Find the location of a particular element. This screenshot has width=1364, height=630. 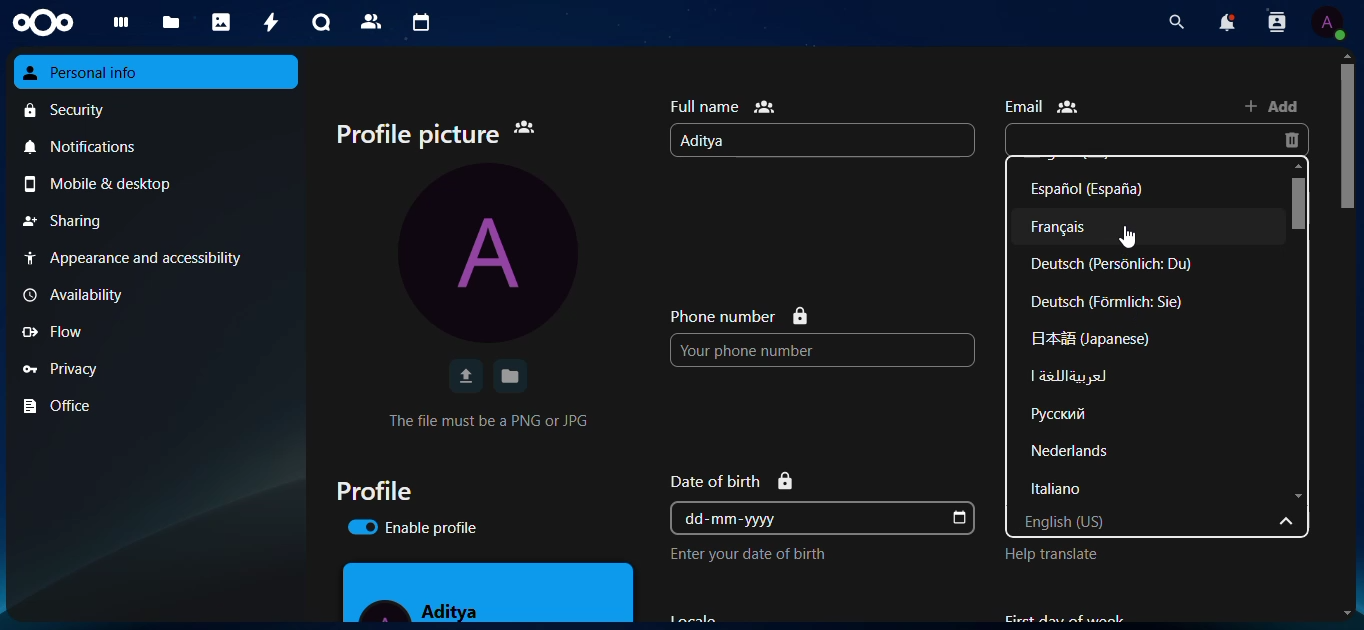

office is located at coordinates (66, 406).